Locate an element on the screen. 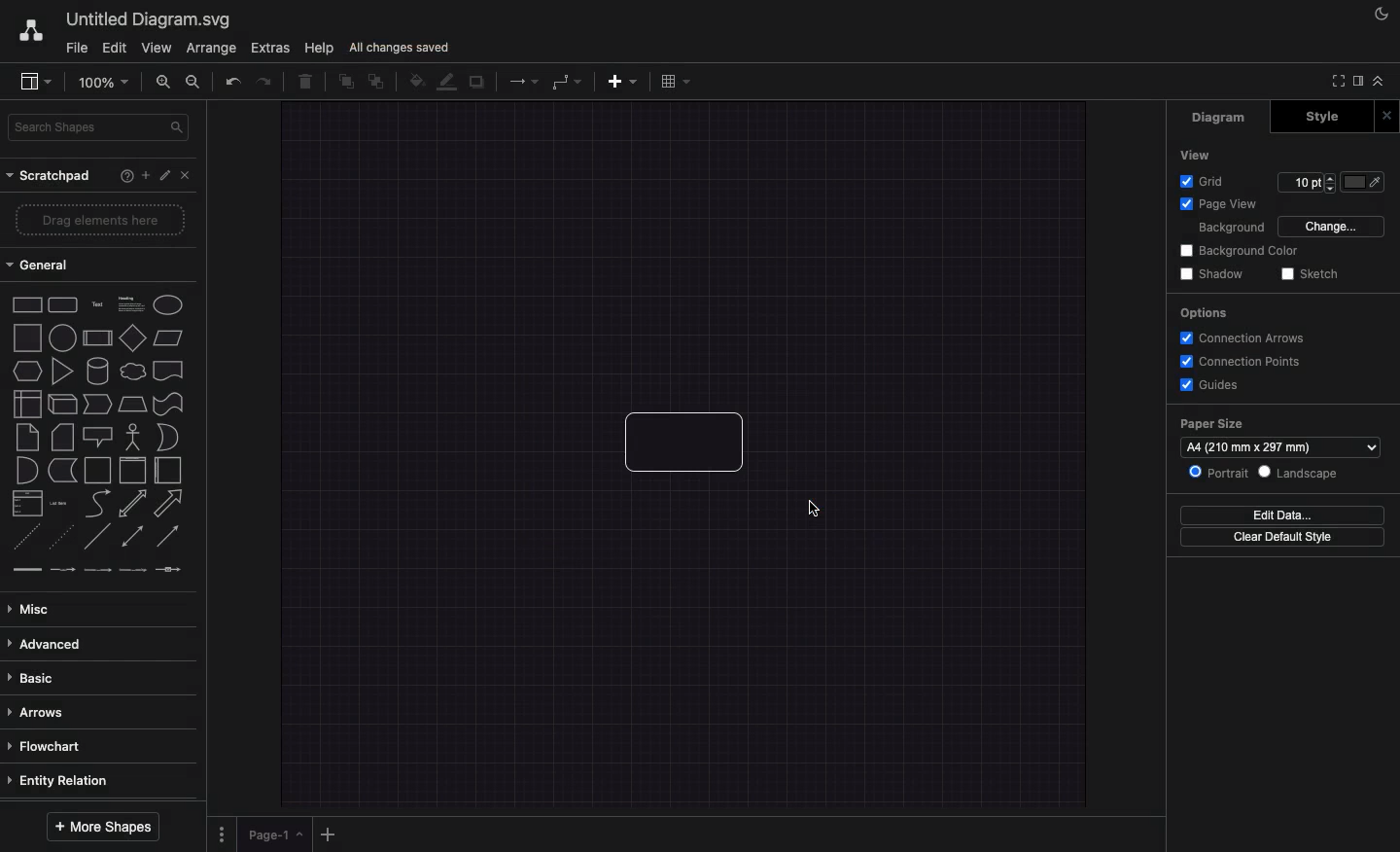 This screenshot has height=852, width=1400. Waypoints is located at coordinates (567, 83).